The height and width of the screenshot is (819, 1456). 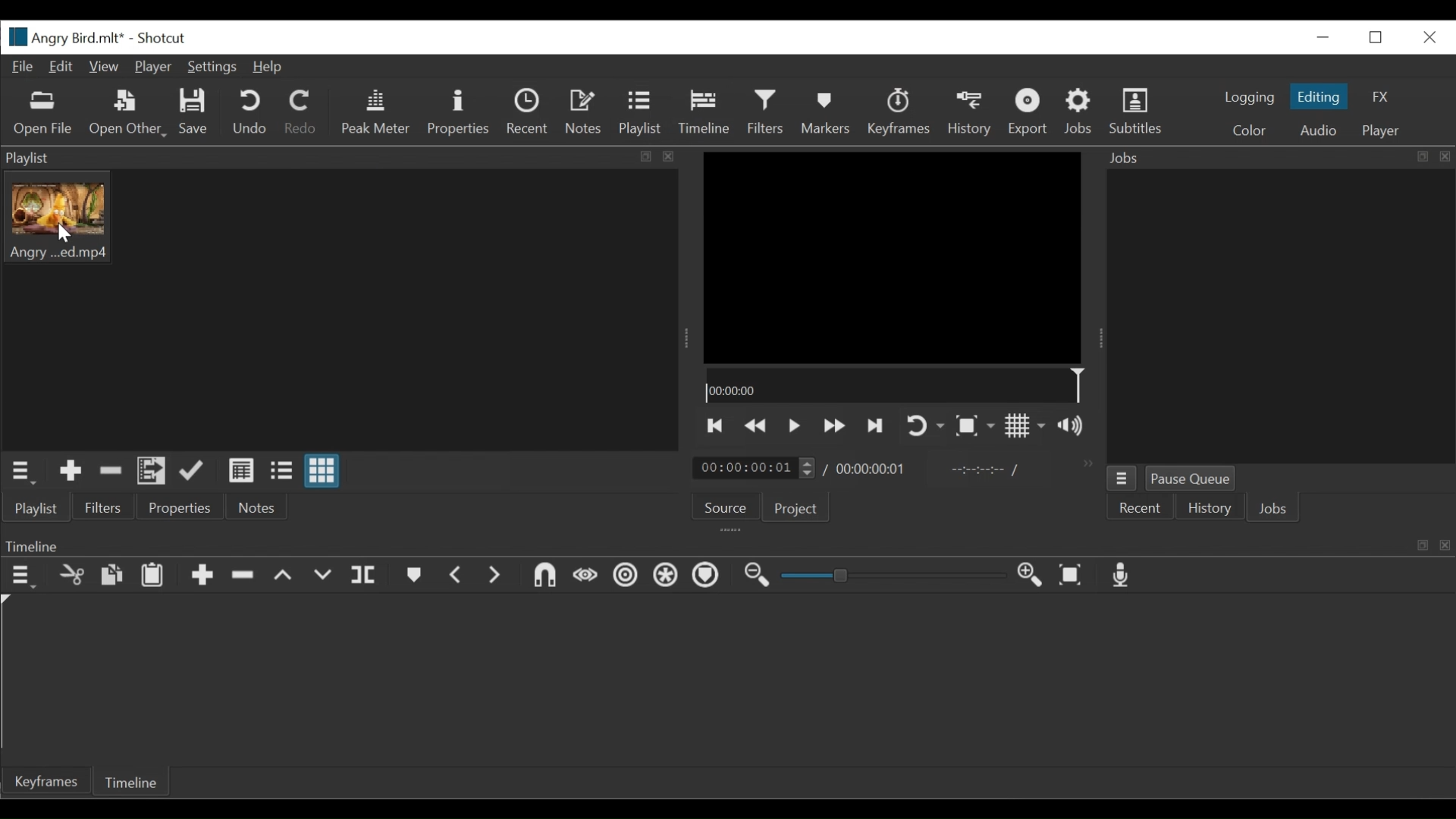 I want to click on Timeline, so click(x=706, y=113).